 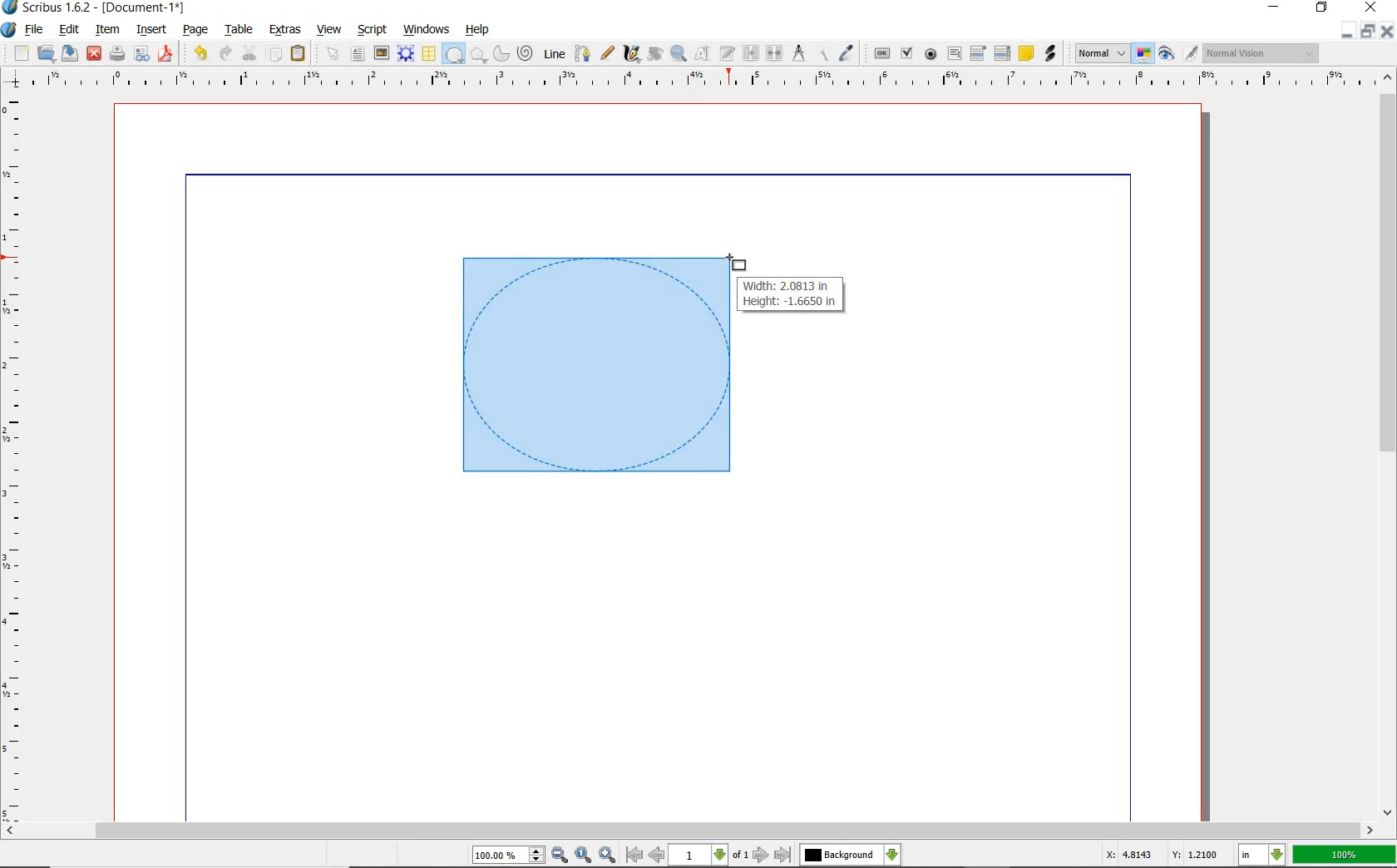 What do you see at coordinates (792, 293) in the screenshot?
I see `width & height measurements` at bounding box center [792, 293].